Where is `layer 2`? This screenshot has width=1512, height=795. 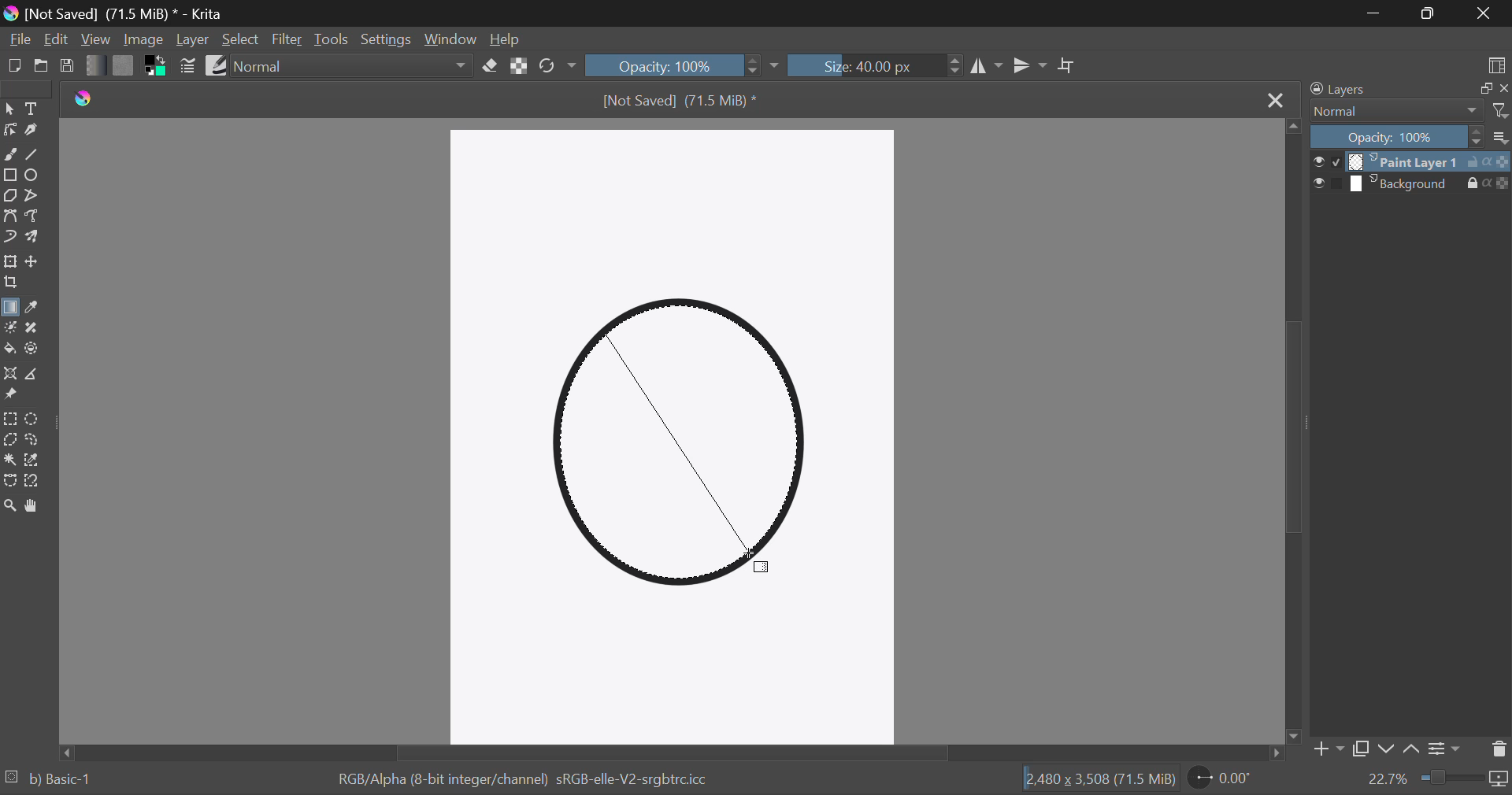
layer 2 is located at coordinates (1405, 184).